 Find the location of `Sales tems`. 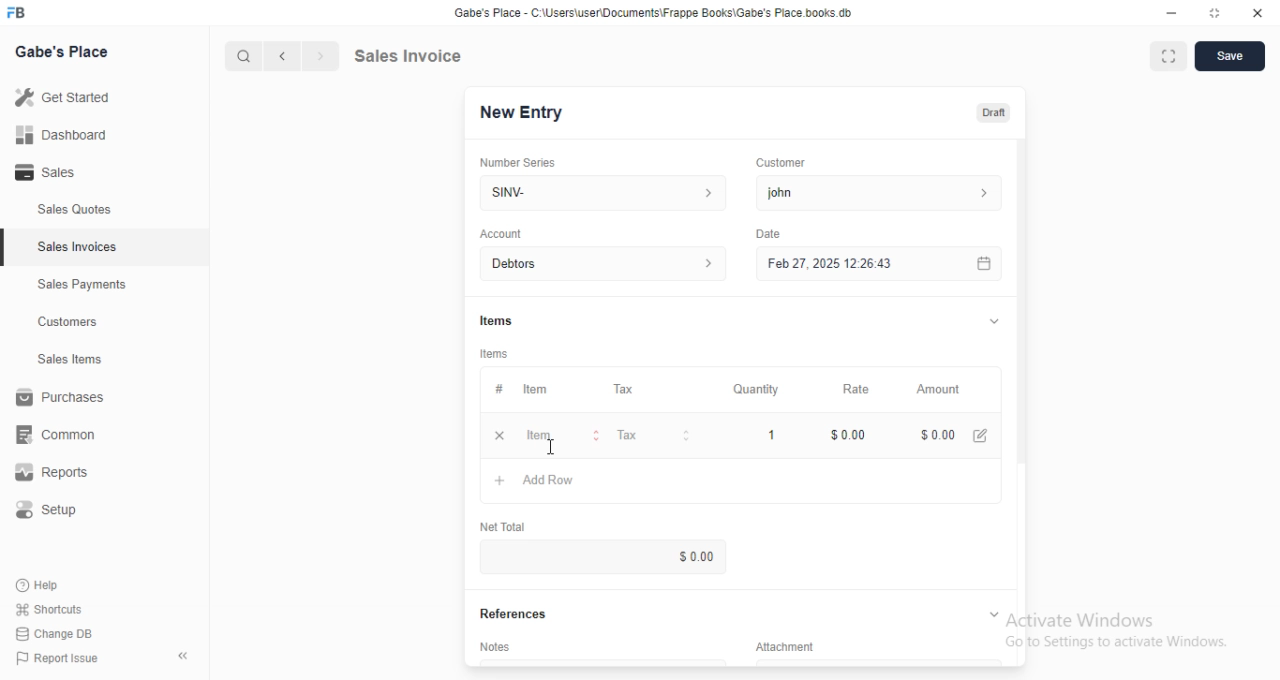

Sales tems is located at coordinates (71, 359).